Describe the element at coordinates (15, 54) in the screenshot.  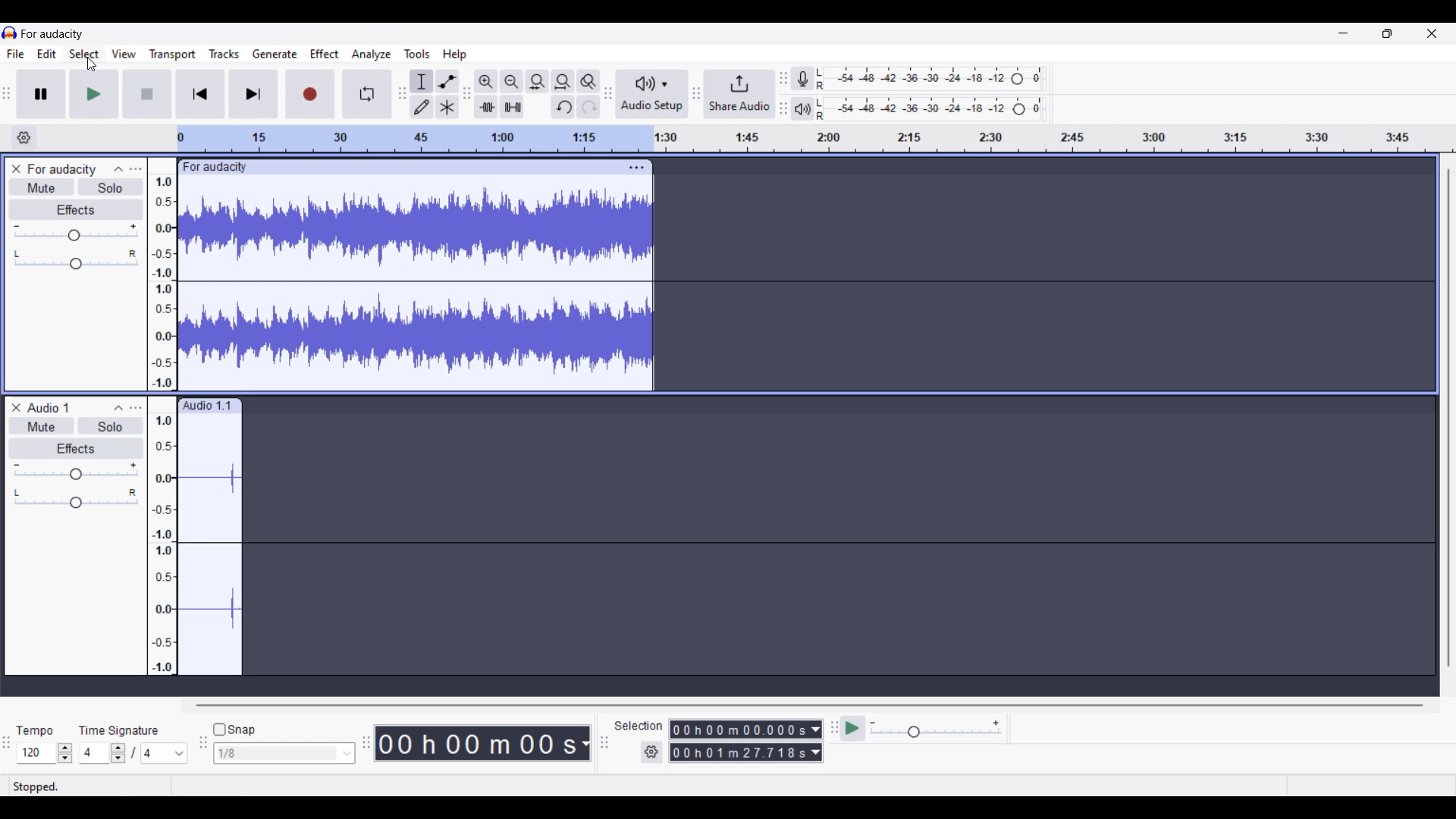
I see `File` at that location.